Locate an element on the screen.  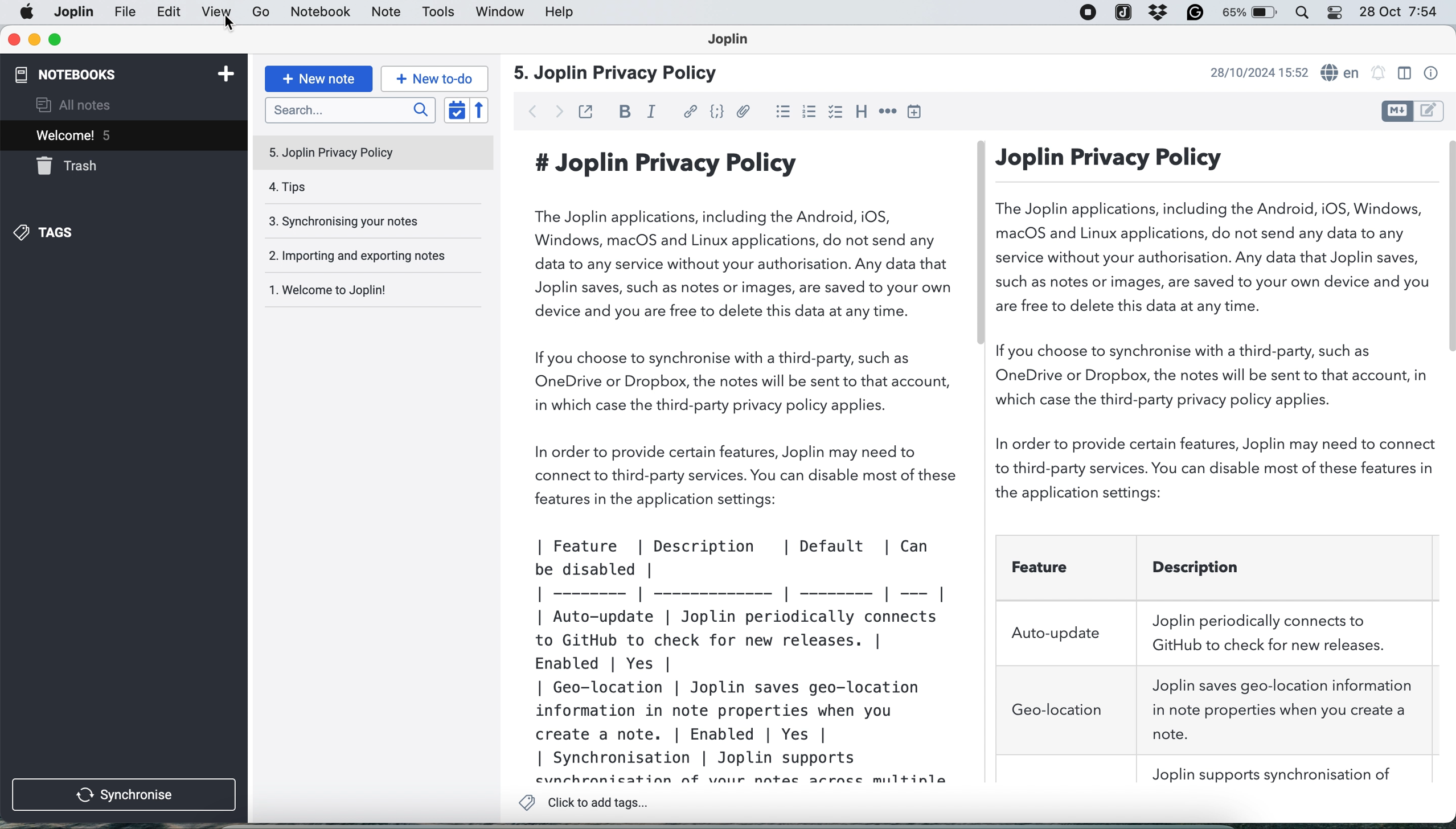
minimise is located at coordinates (34, 40).